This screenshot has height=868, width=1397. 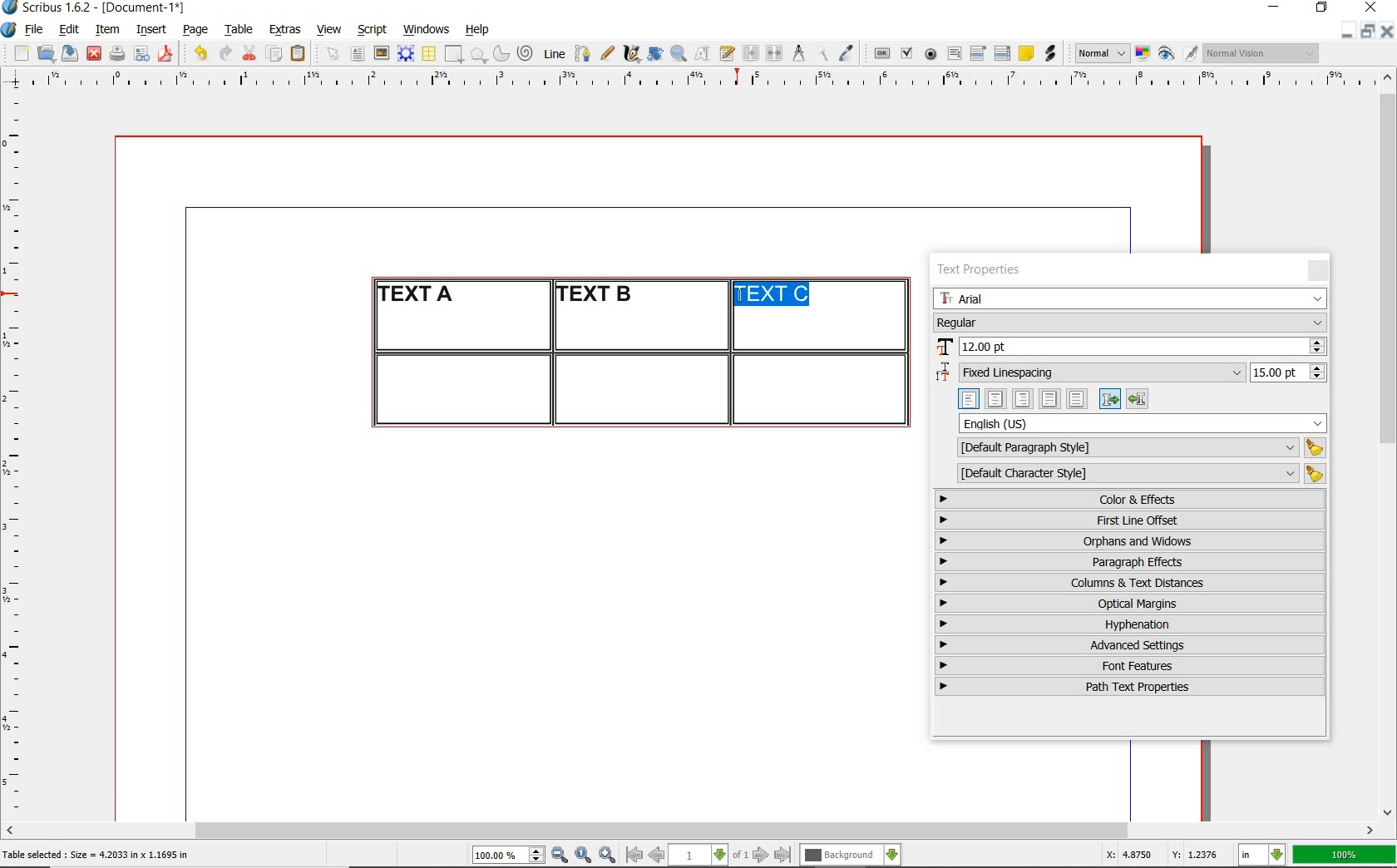 What do you see at coordinates (1130, 624) in the screenshot?
I see `hyphenation` at bounding box center [1130, 624].